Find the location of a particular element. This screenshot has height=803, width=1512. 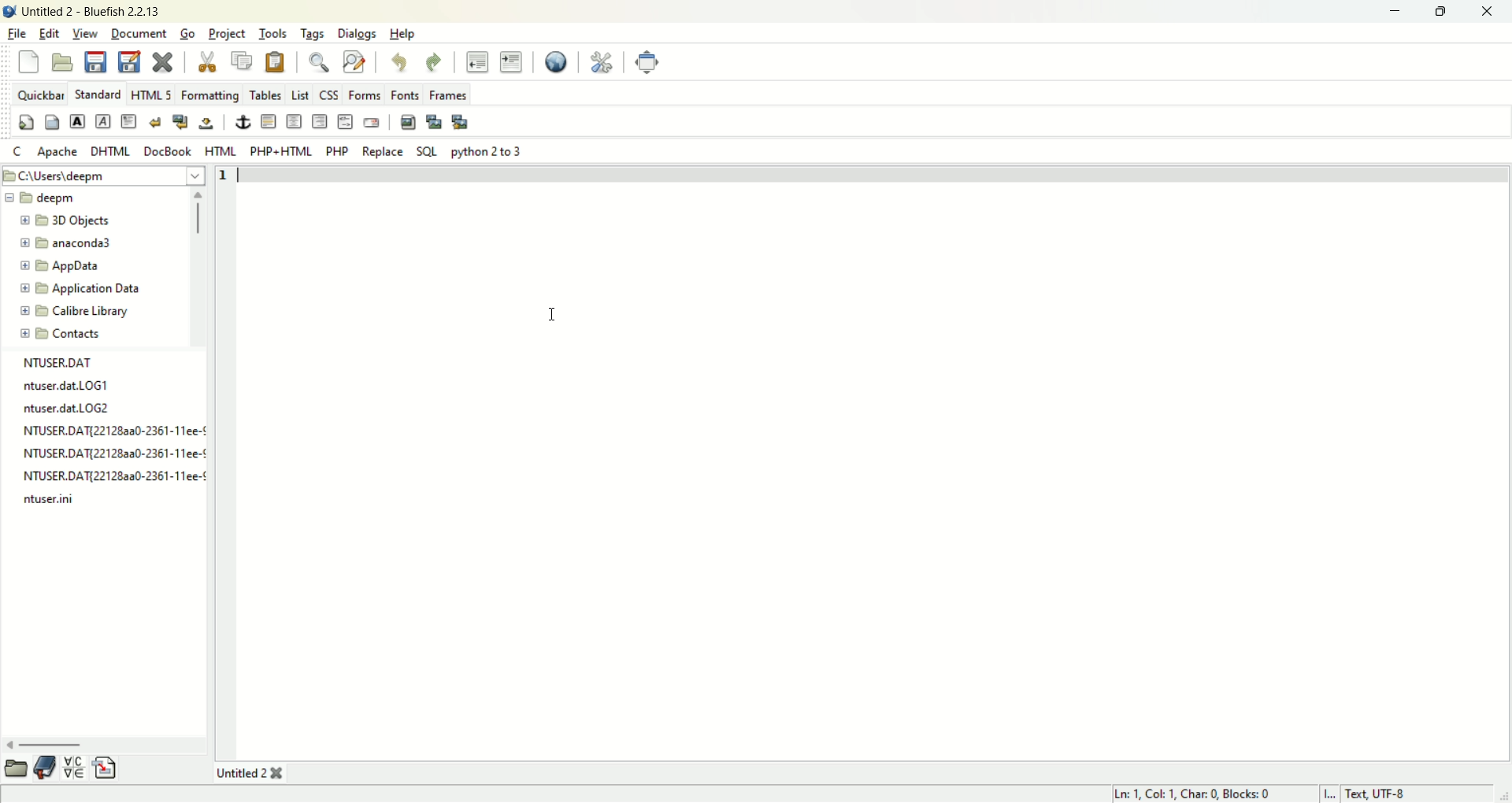

insert image is located at coordinates (407, 120).